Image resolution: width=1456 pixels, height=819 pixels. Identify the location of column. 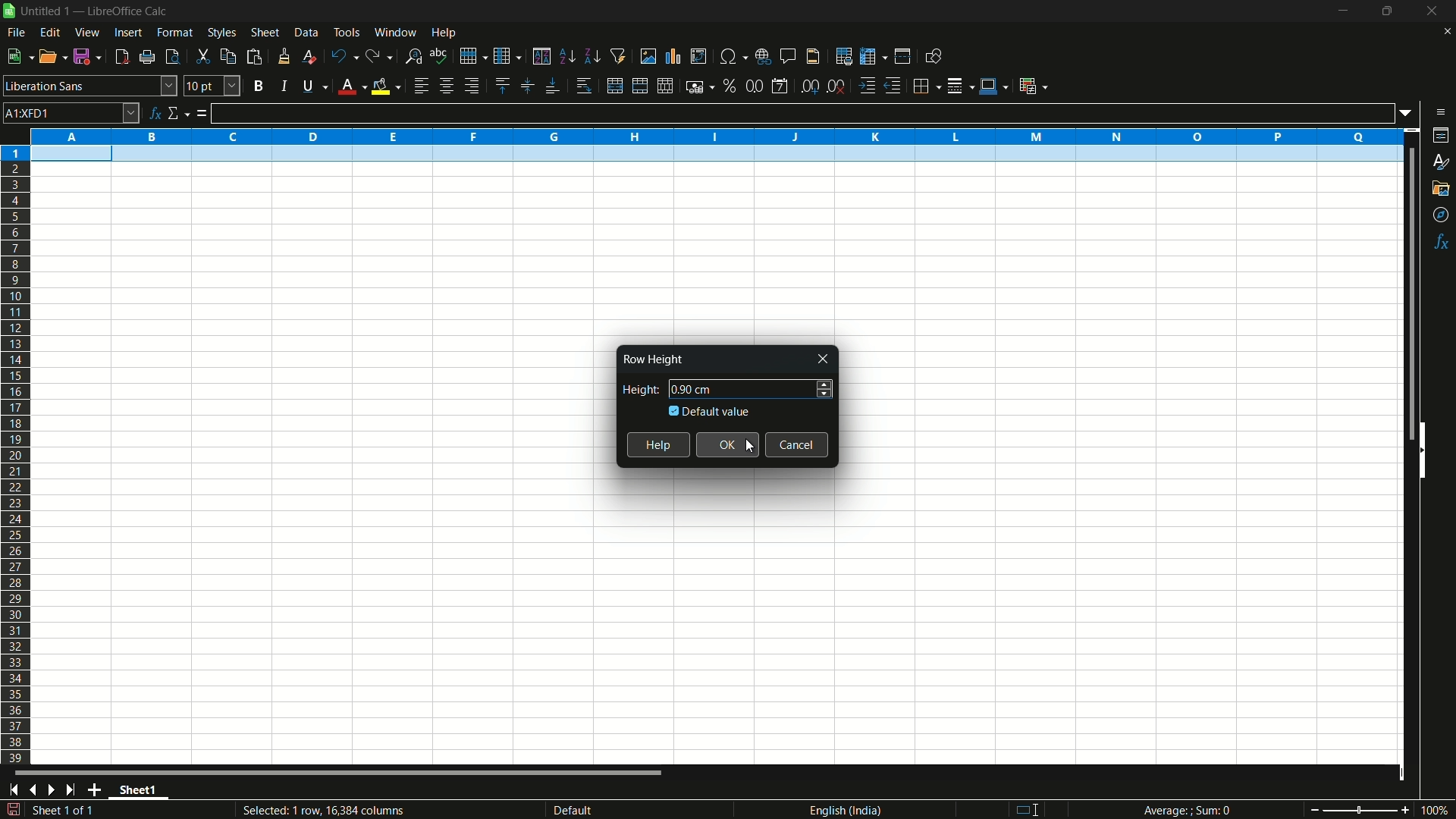
(508, 57).